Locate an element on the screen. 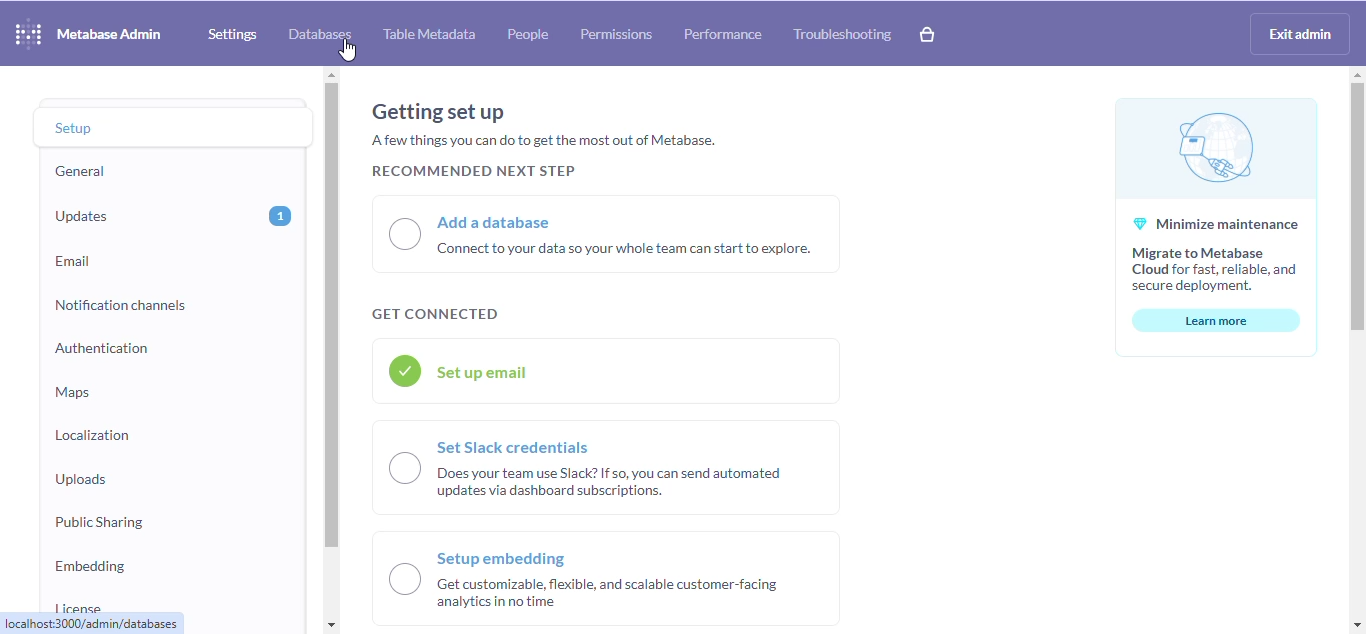 The image size is (1366, 634). set slack credentials is located at coordinates (606, 467).